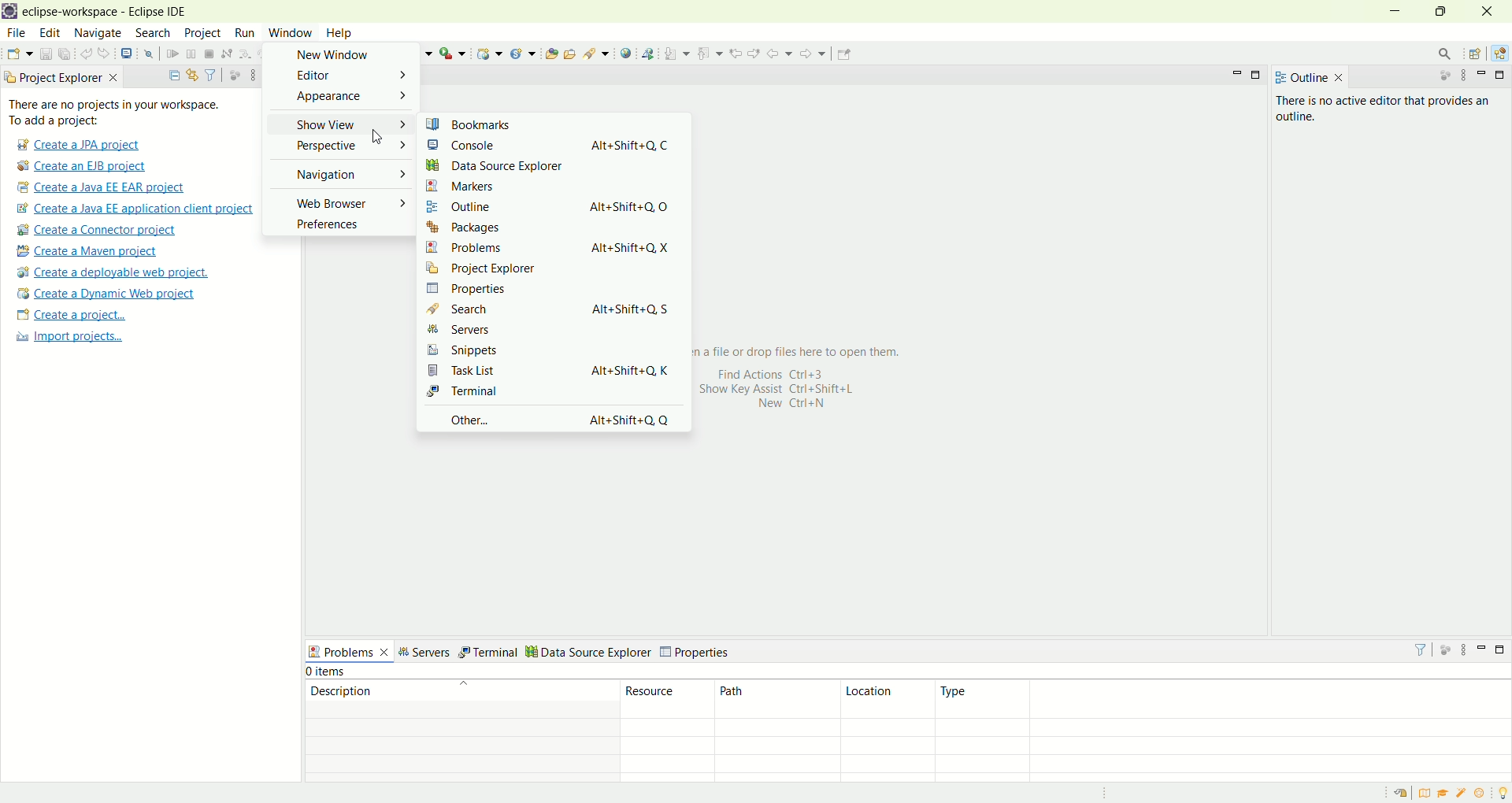  I want to click on next annotations, so click(676, 53).